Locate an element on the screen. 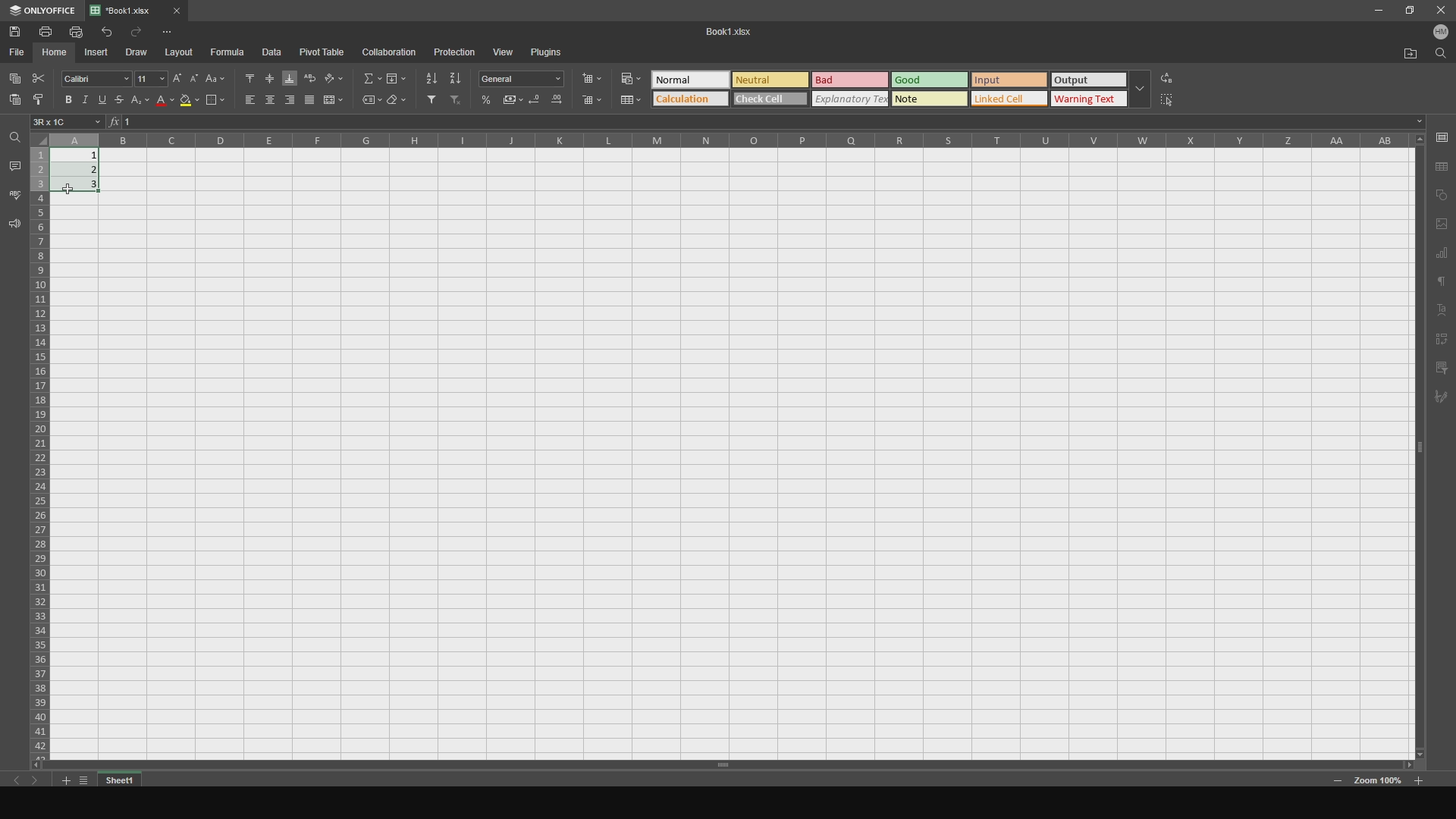  clear is located at coordinates (398, 102).